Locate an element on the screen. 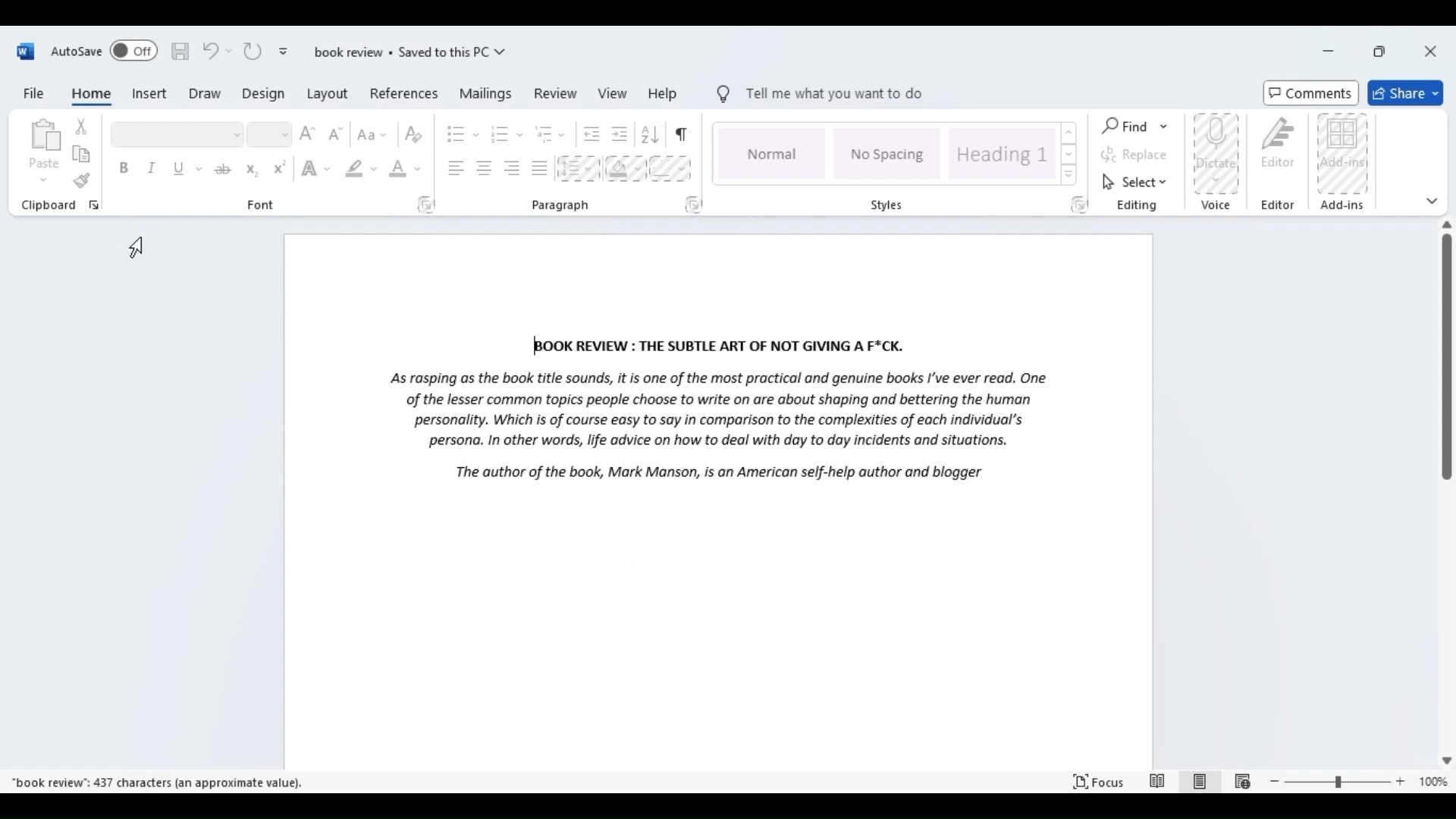 This screenshot has height=819, width=1456. “book review’: 437 characters (an approximate value). is located at coordinates (158, 783).